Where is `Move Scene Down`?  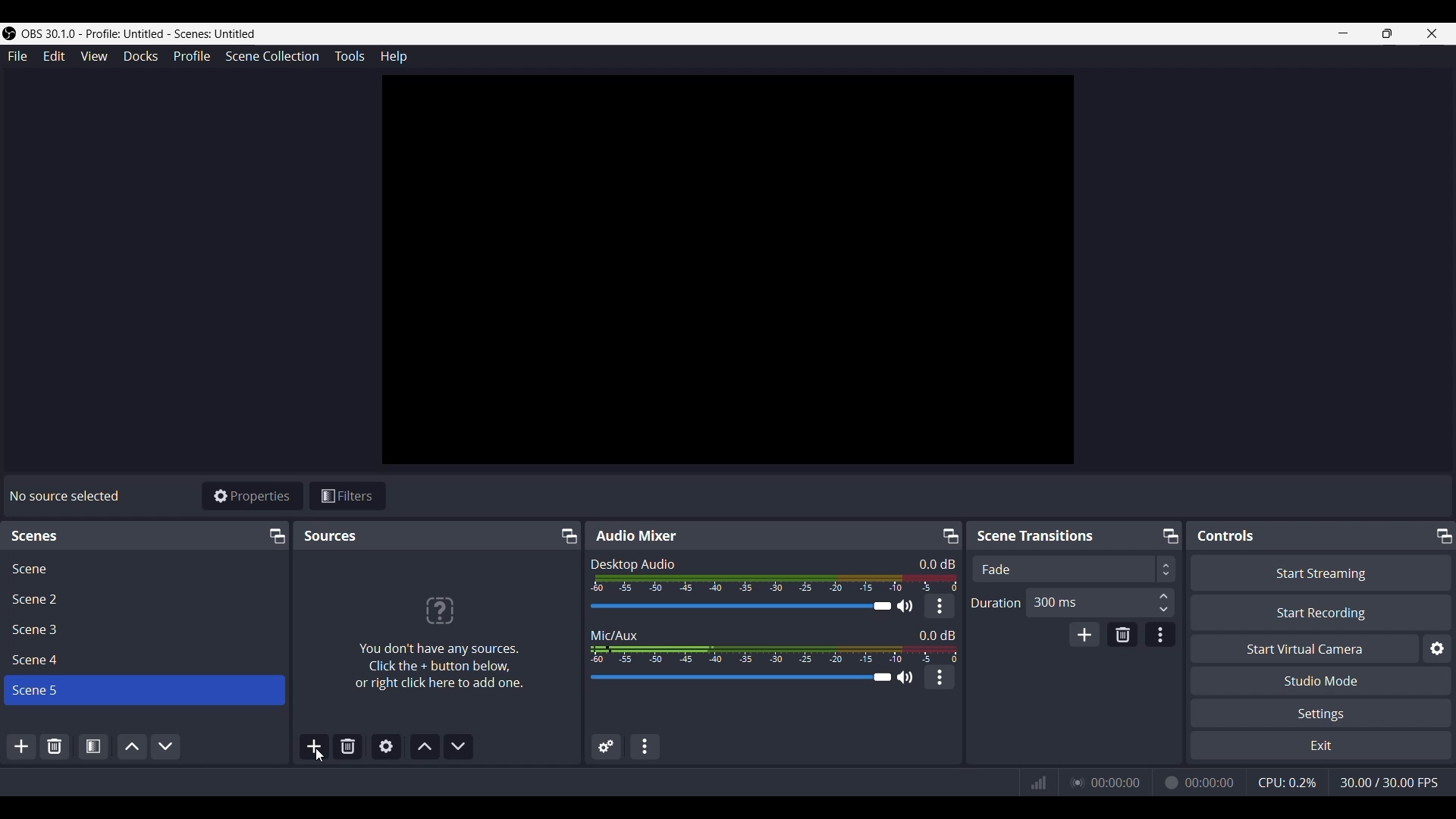 Move Scene Down is located at coordinates (165, 746).